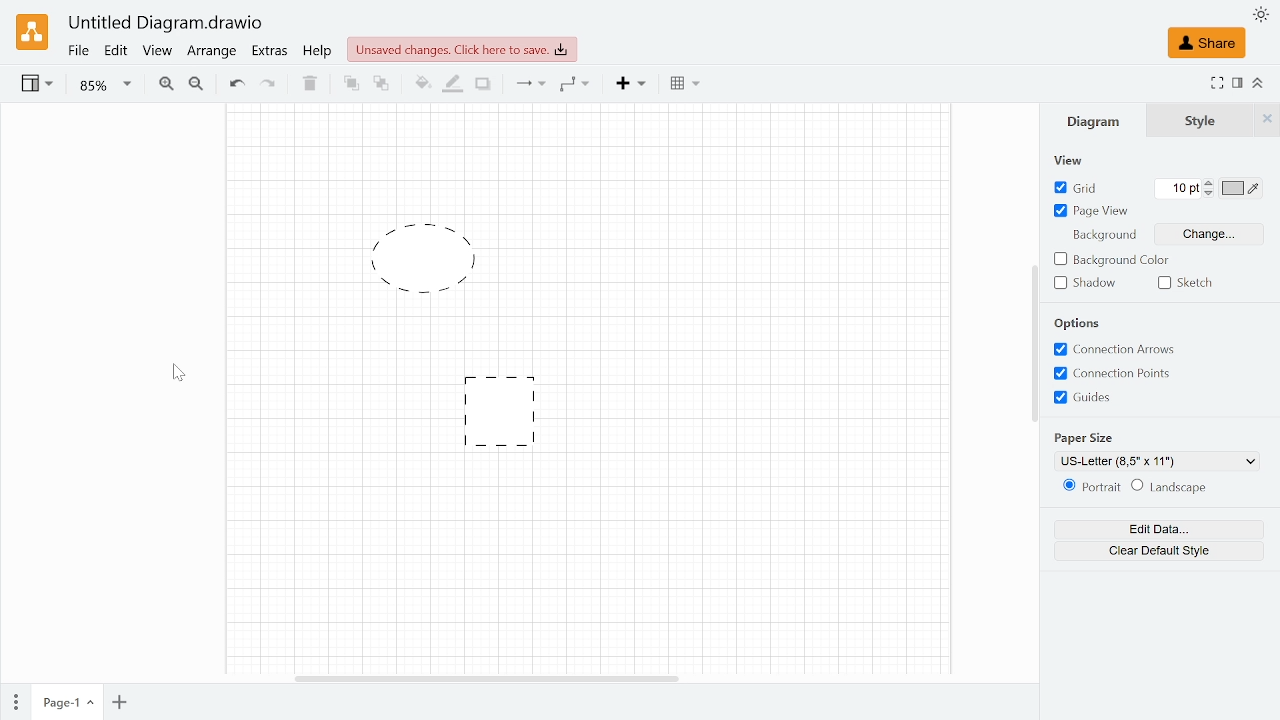  I want to click on Current page, so click(66, 703).